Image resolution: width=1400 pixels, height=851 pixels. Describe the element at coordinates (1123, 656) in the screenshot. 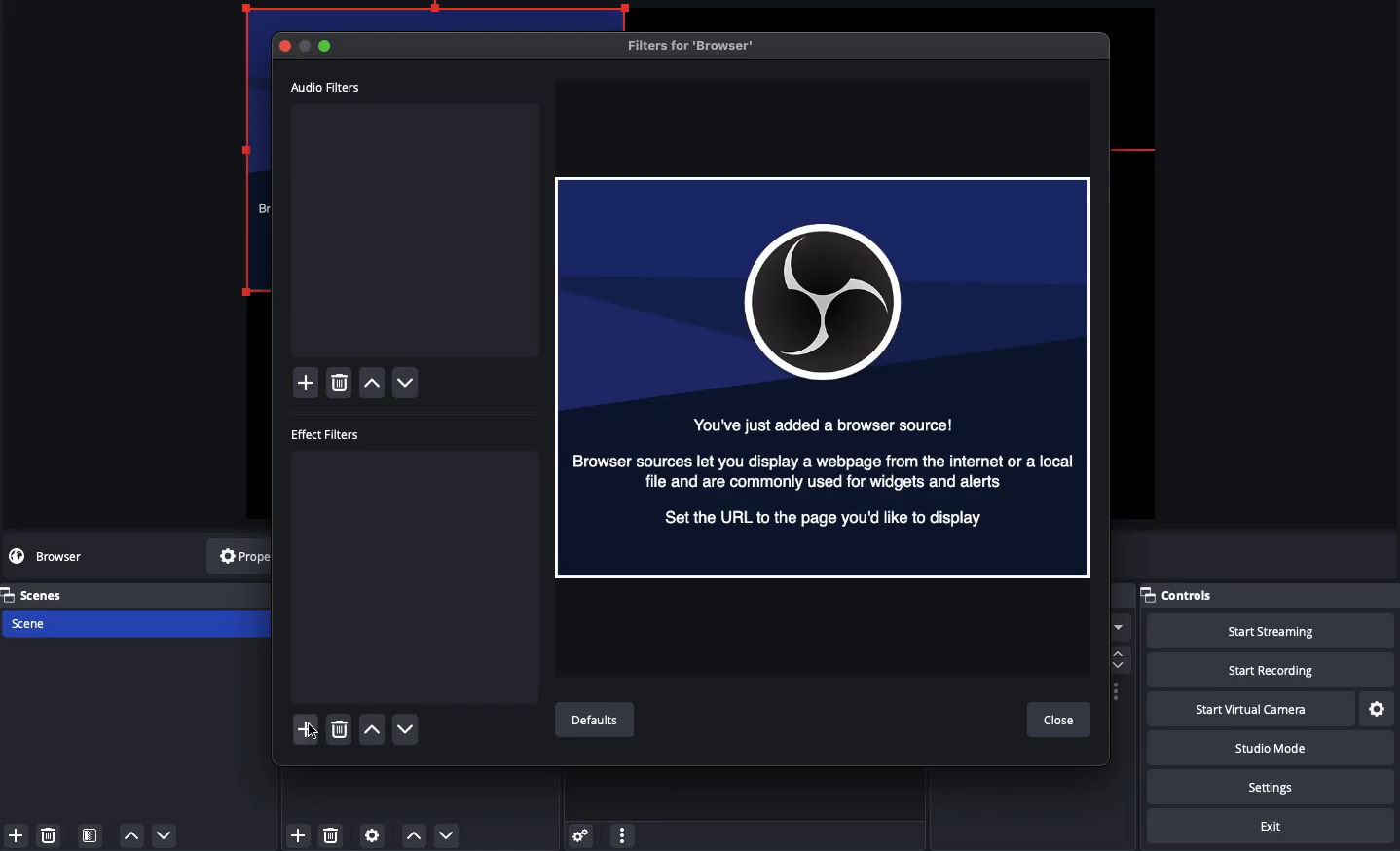

I see `scroll` at that location.